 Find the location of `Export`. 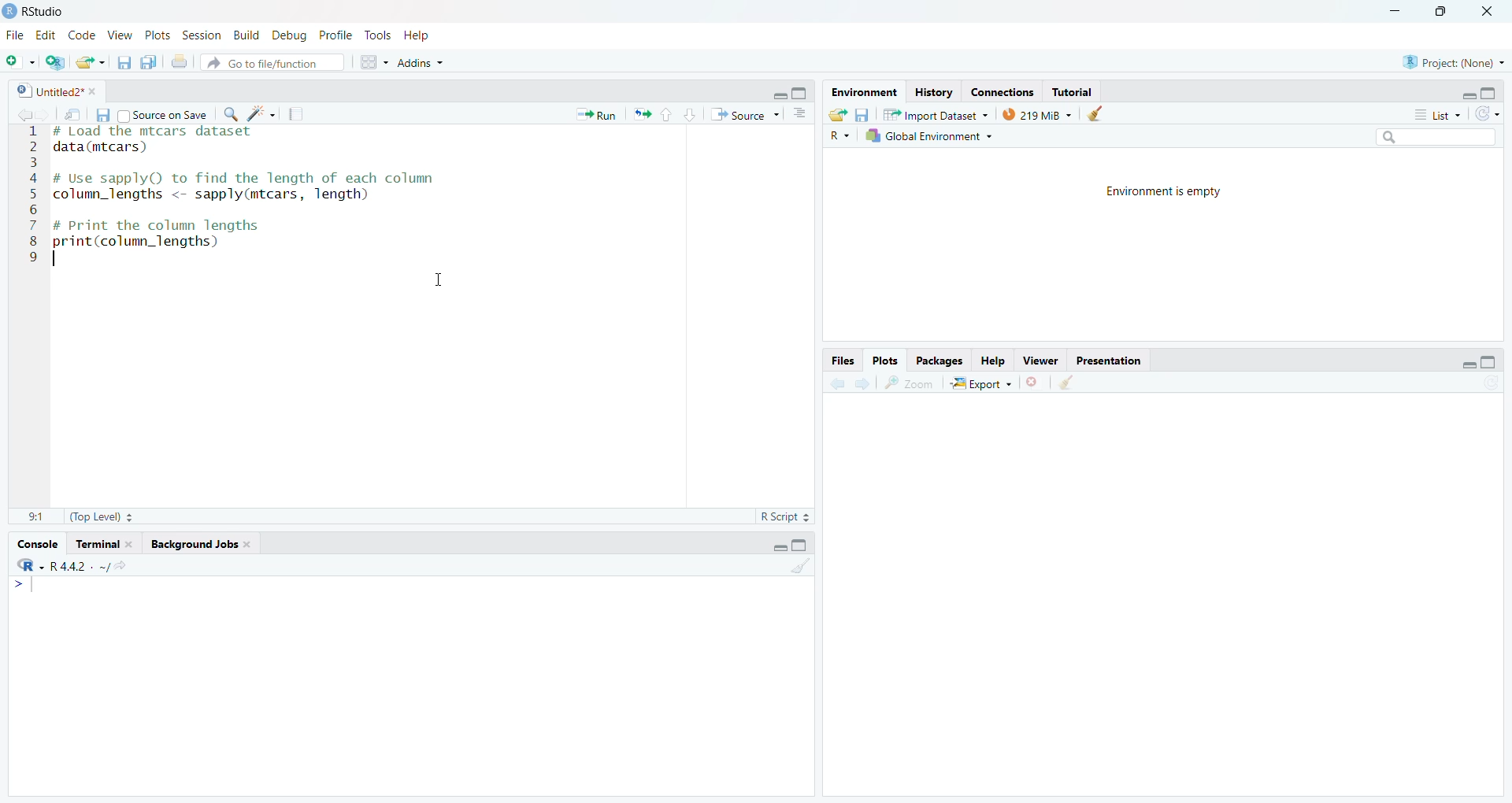

Export is located at coordinates (980, 383).